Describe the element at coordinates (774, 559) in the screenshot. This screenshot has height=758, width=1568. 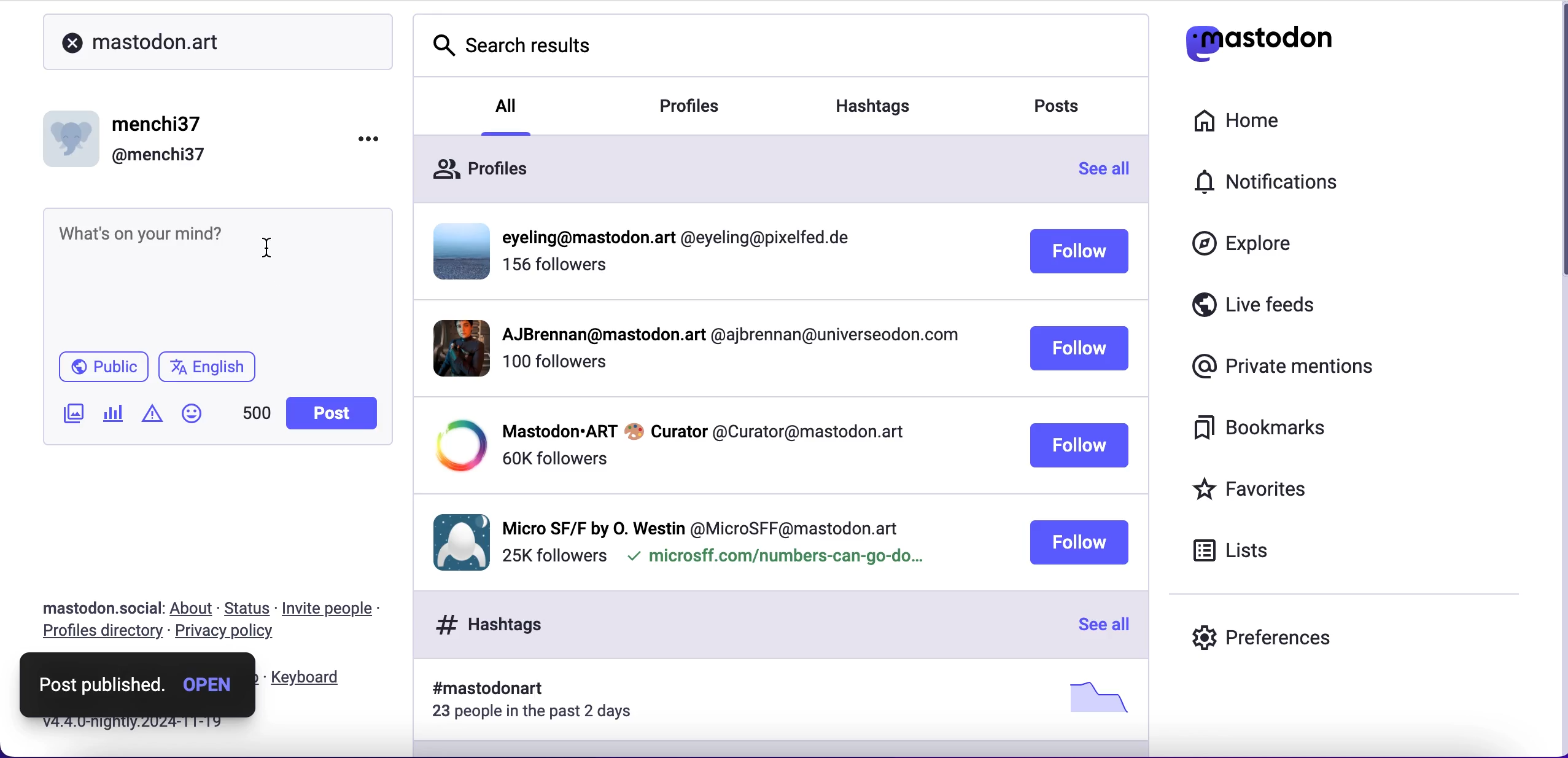
I see `microsff` at that location.